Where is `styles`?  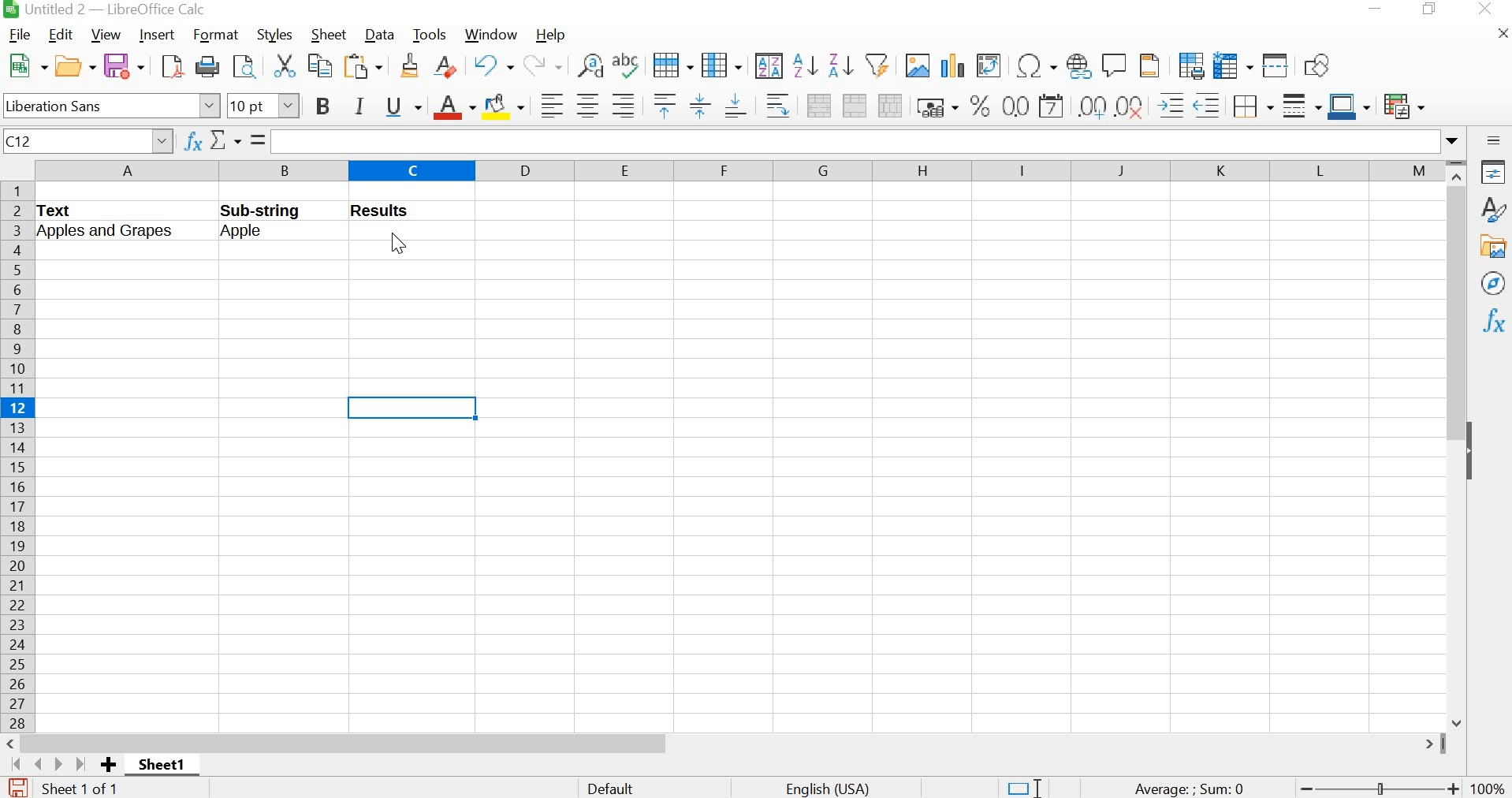
styles is located at coordinates (1492, 209).